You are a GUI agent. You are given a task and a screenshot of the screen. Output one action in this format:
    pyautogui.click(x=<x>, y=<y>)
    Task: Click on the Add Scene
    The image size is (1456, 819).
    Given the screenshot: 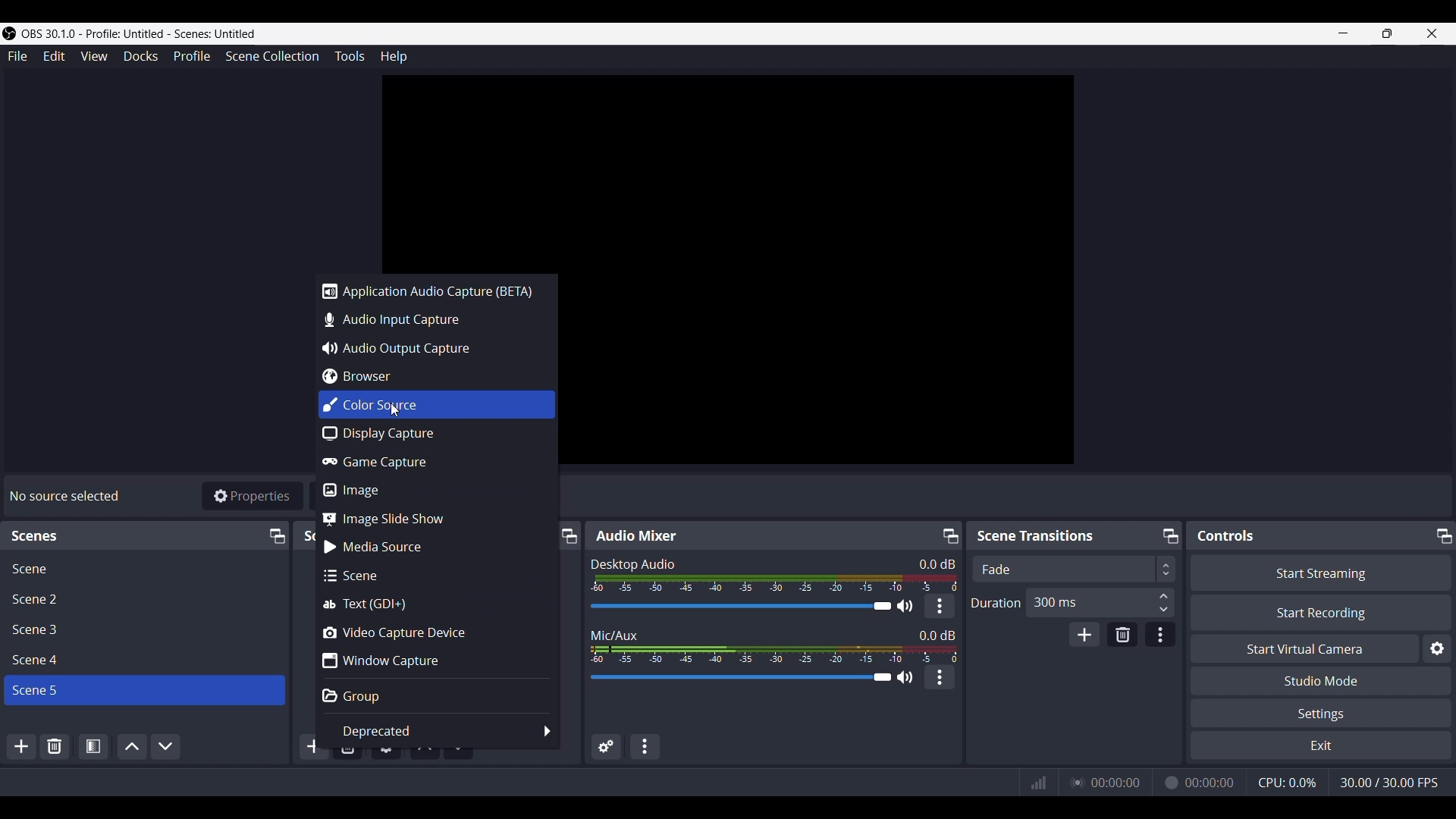 What is the action you would take?
    pyautogui.click(x=21, y=746)
    